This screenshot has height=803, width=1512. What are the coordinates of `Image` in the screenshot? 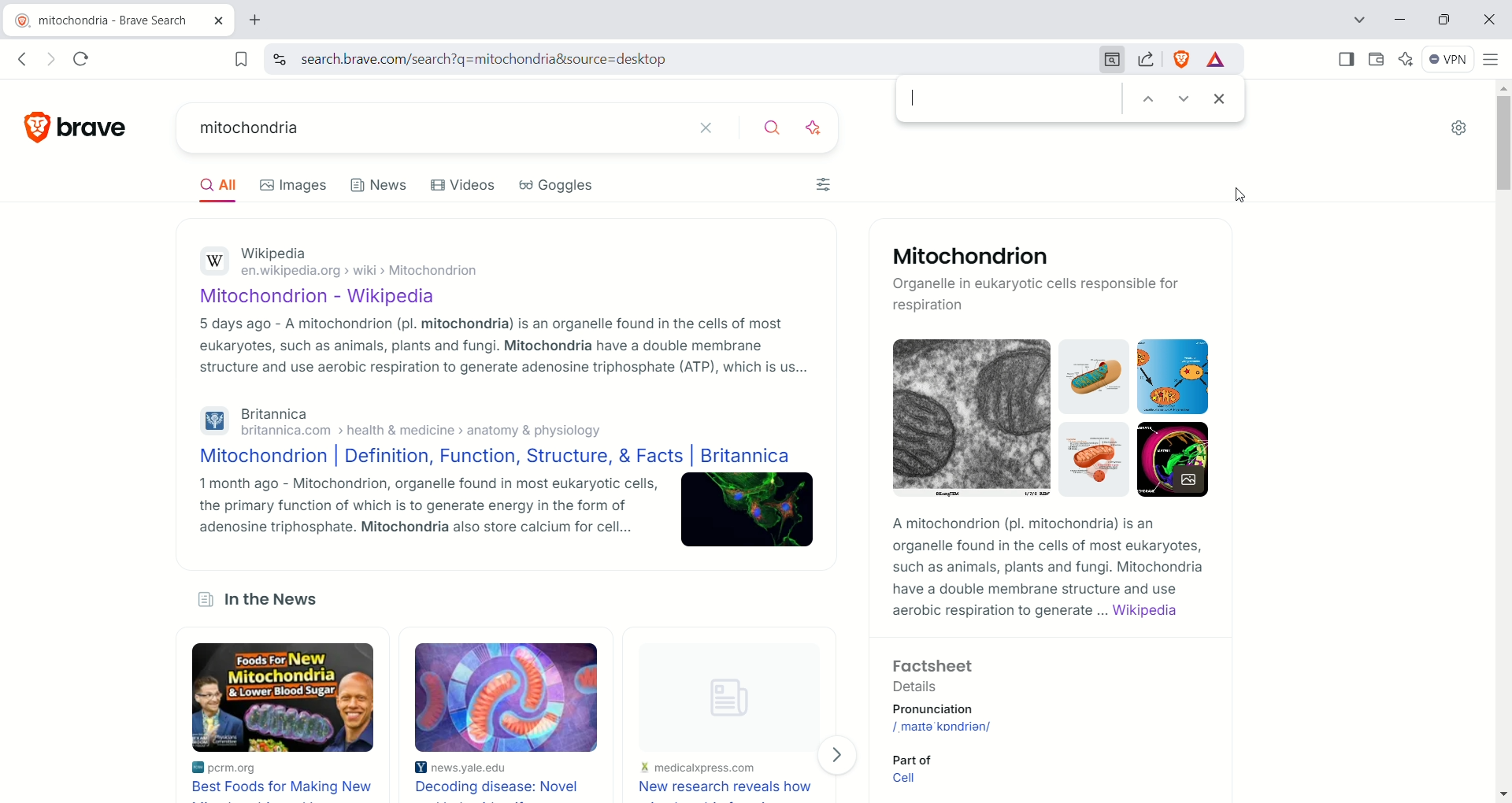 It's located at (1173, 459).